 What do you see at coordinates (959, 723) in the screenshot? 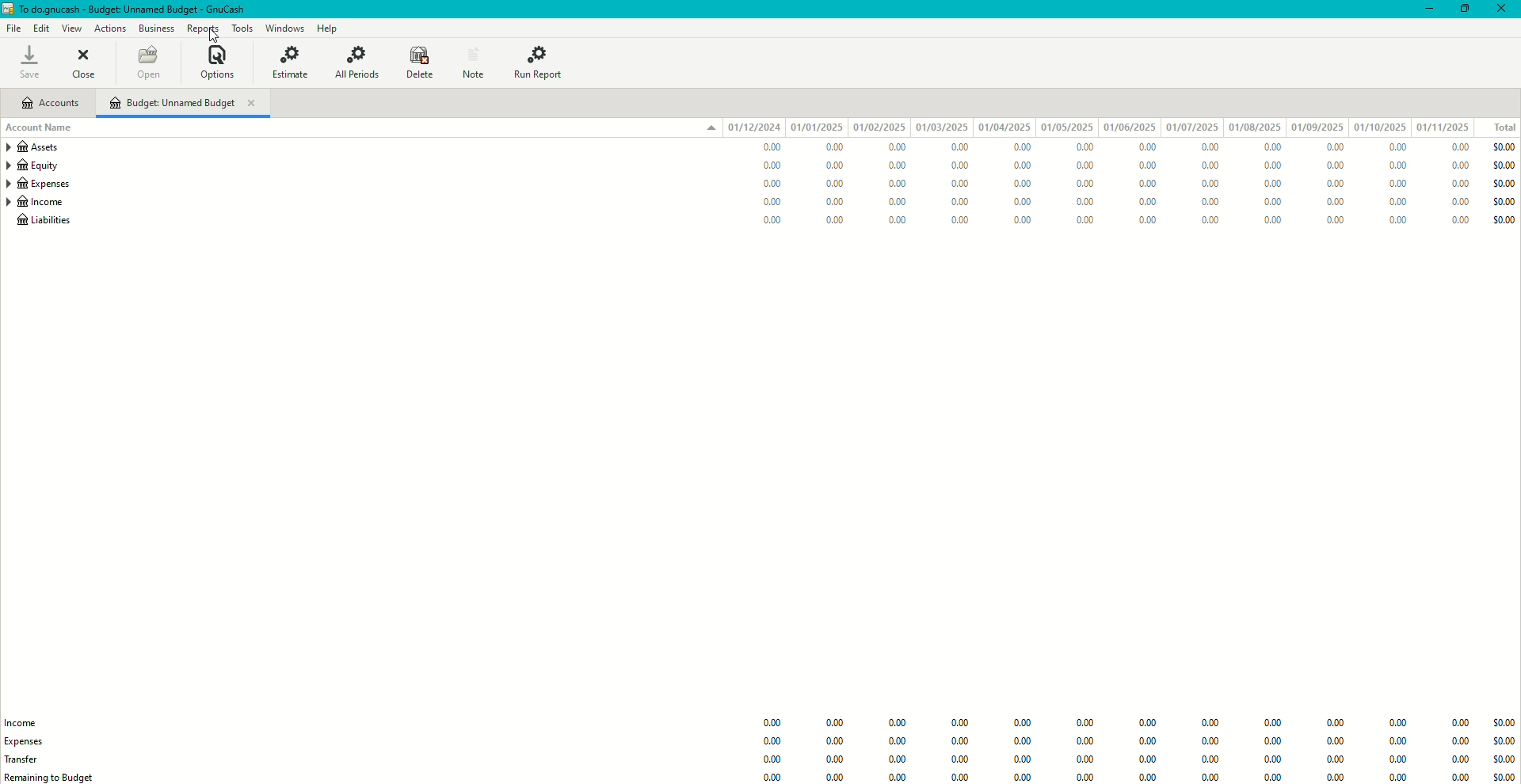
I see `0.00` at bounding box center [959, 723].